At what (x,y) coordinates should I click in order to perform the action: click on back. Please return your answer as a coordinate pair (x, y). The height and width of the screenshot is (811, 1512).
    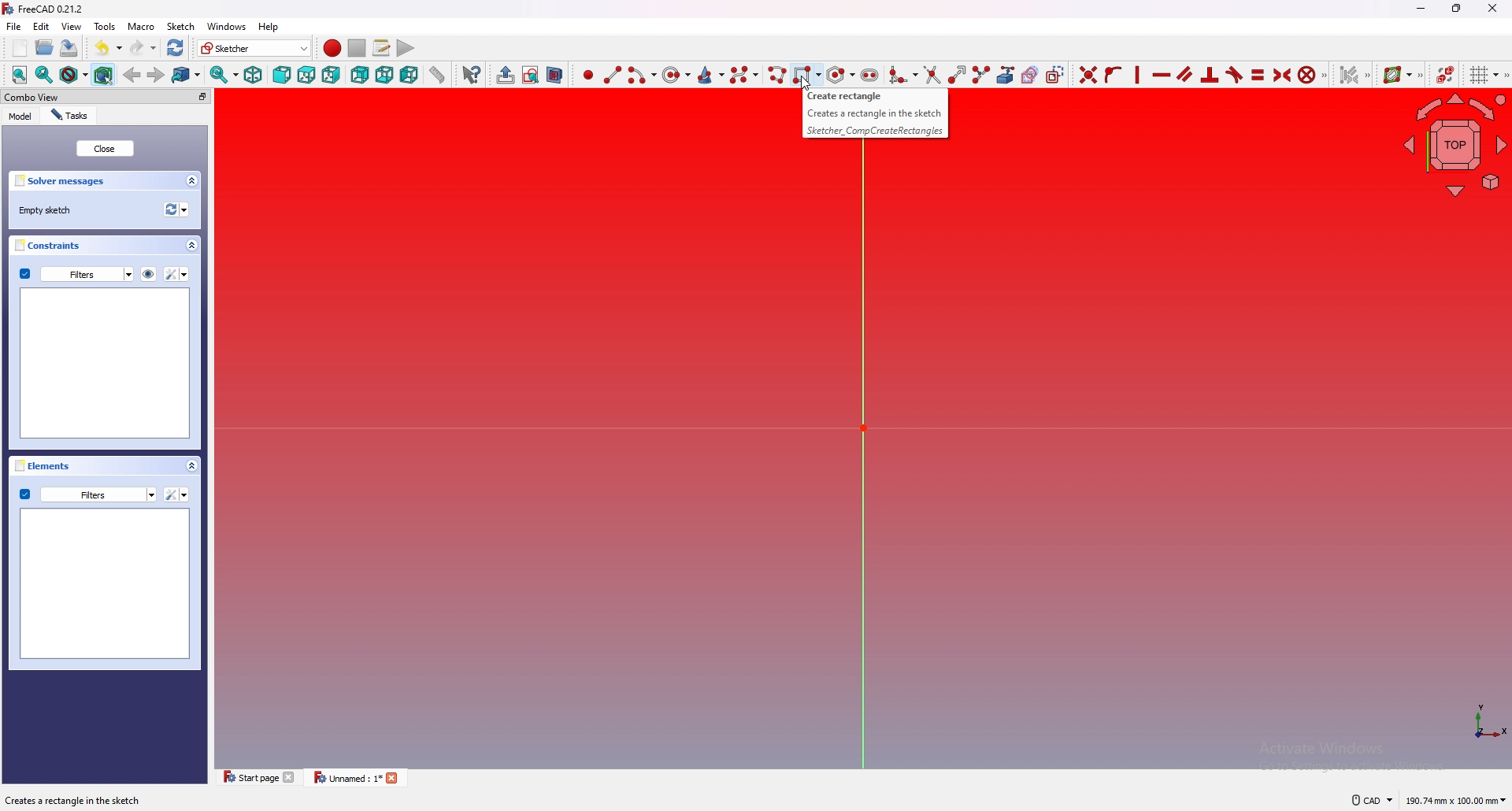
    Looking at the image, I should click on (132, 74).